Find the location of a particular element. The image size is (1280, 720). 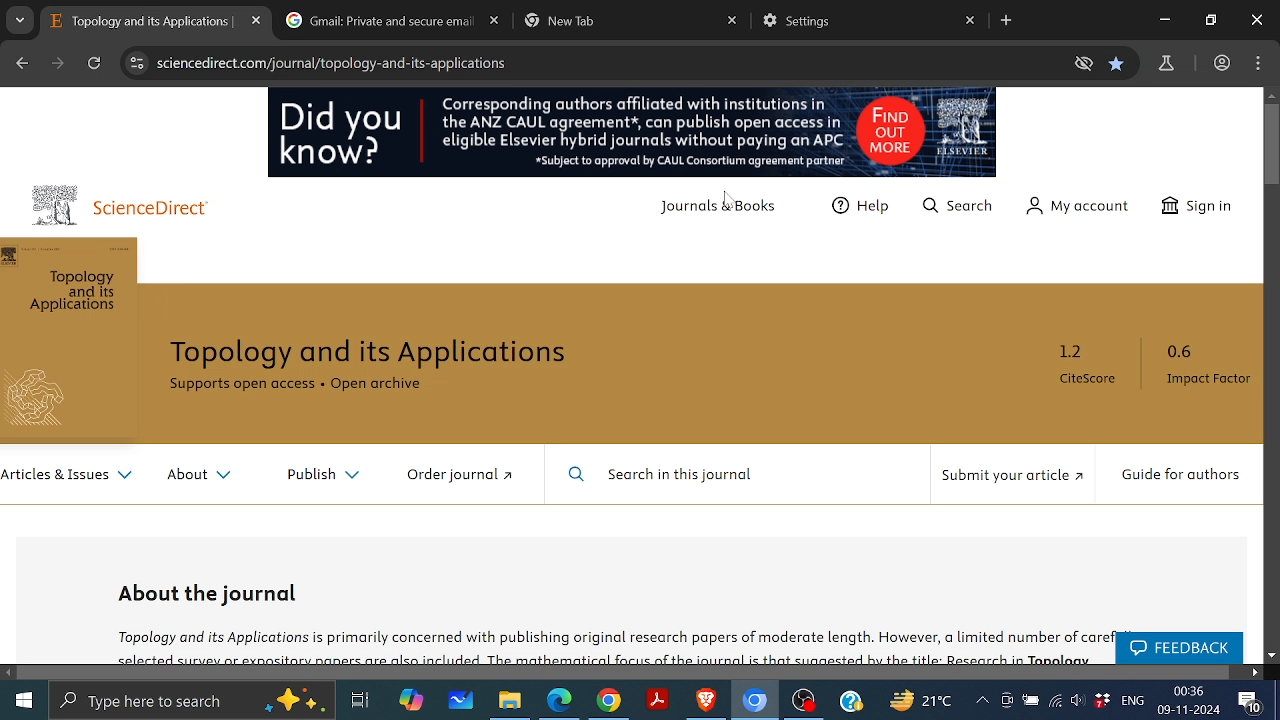

task view is located at coordinates (361, 703).